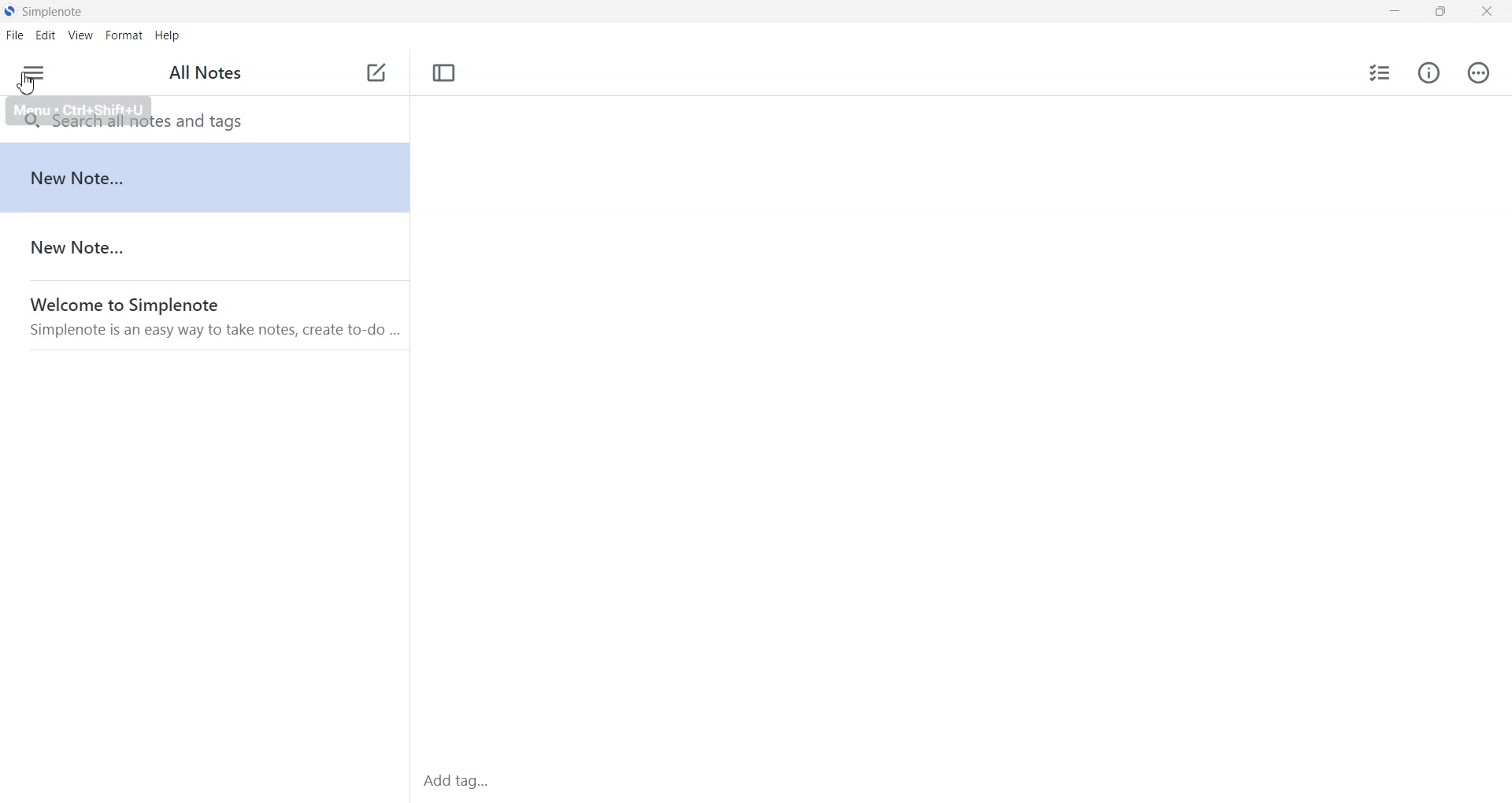  I want to click on Note, so click(205, 178).